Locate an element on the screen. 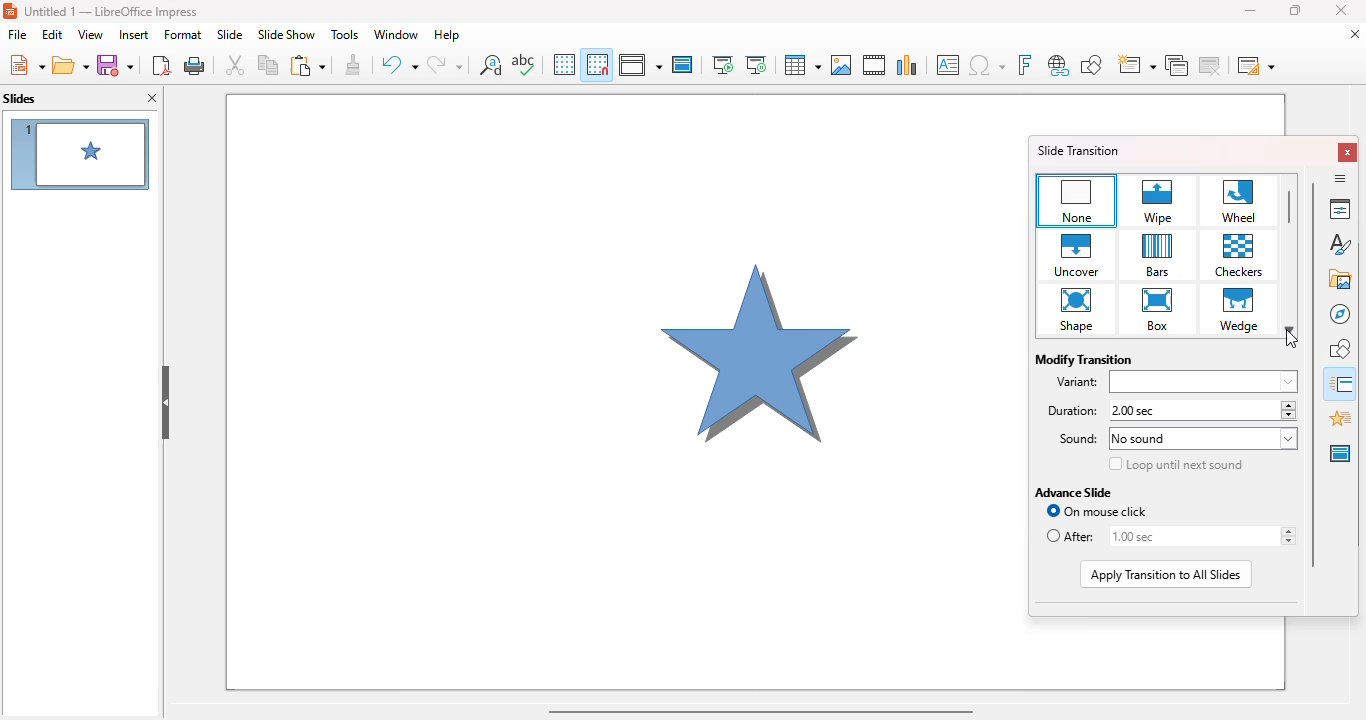  slide transition is located at coordinates (1342, 384).